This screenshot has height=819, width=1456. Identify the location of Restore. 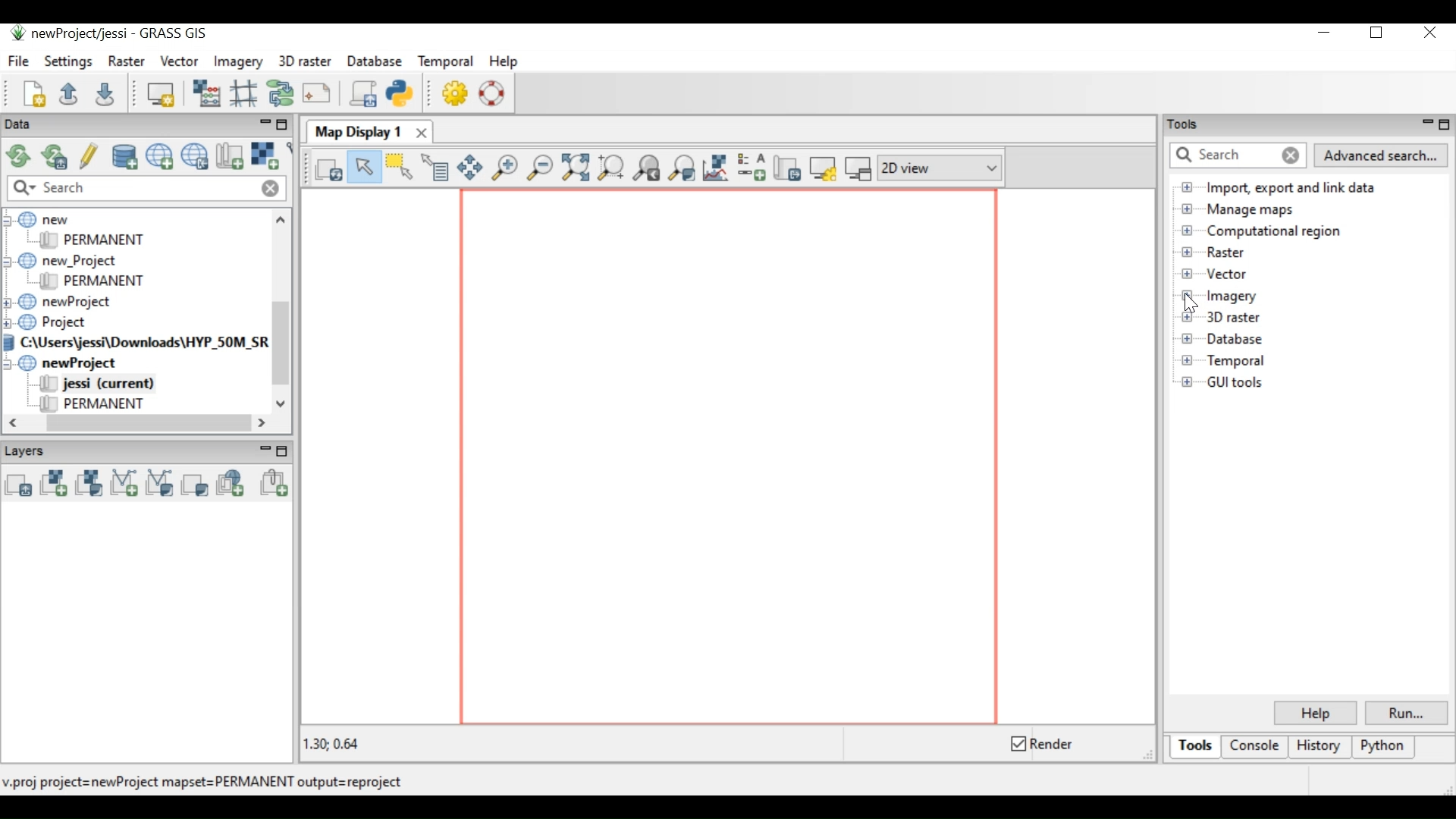
(1447, 123).